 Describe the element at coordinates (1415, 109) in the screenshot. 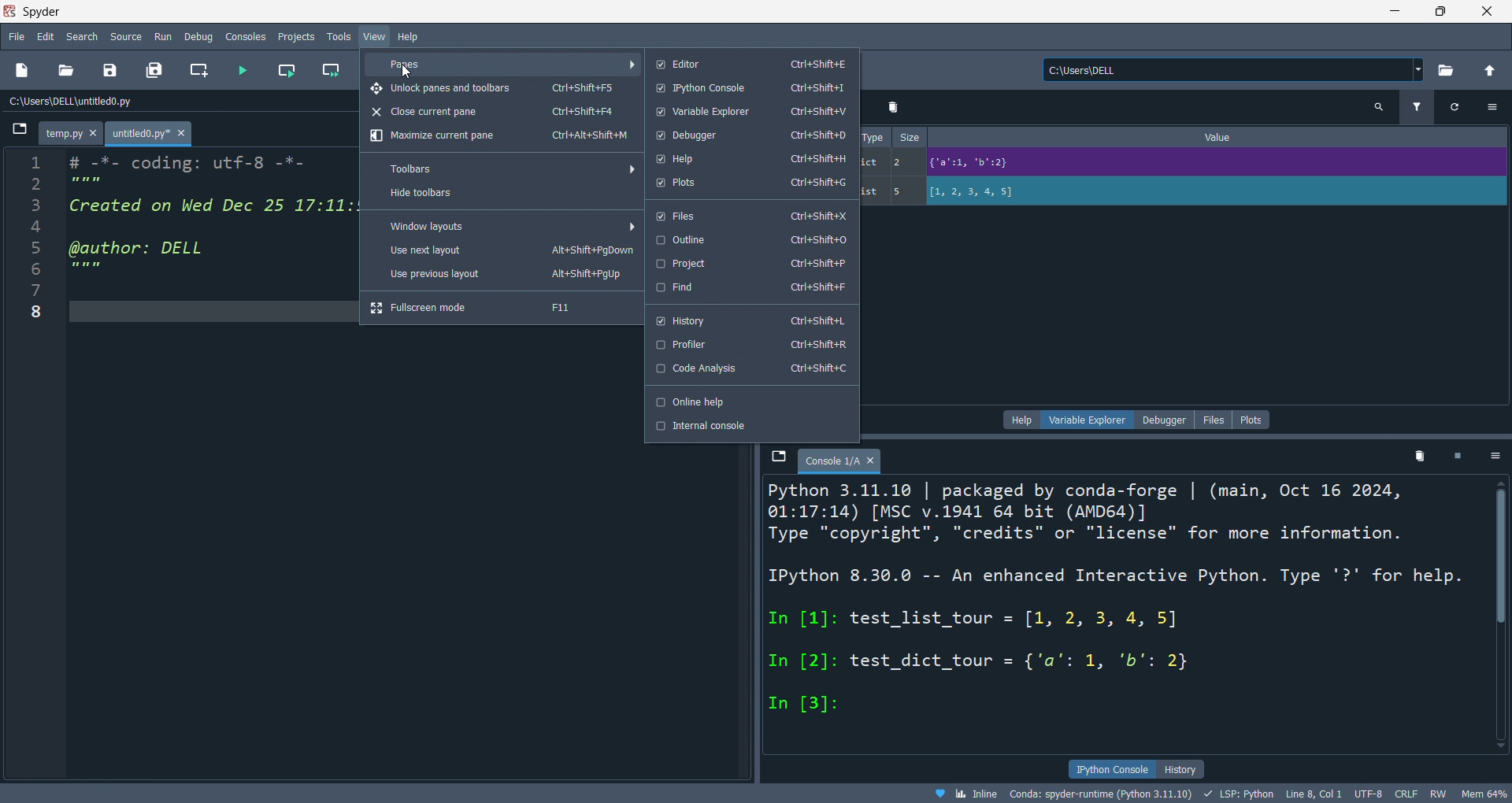

I see `filter` at that location.